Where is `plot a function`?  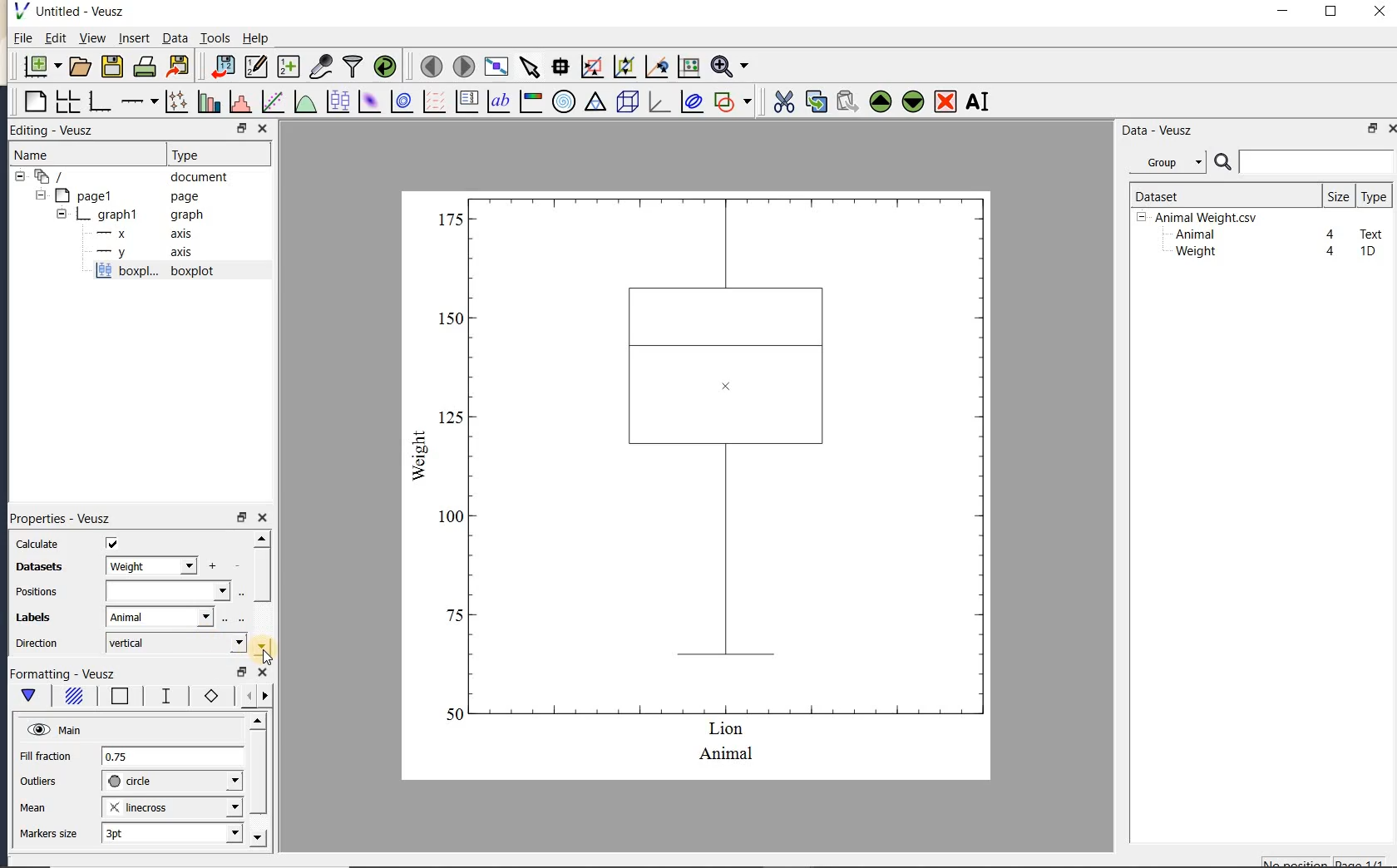
plot a function is located at coordinates (304, 104).